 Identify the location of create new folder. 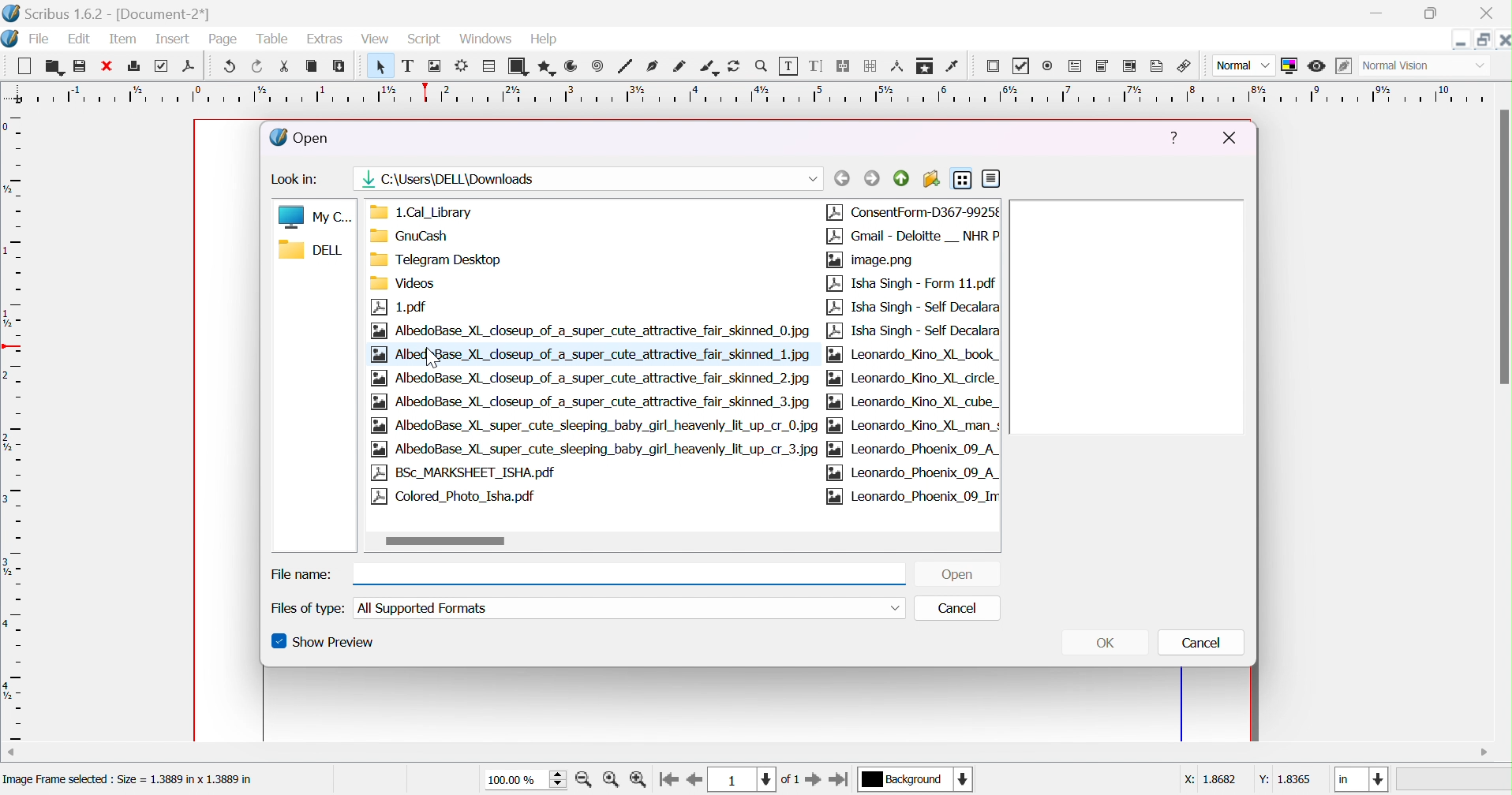
(933, 180).